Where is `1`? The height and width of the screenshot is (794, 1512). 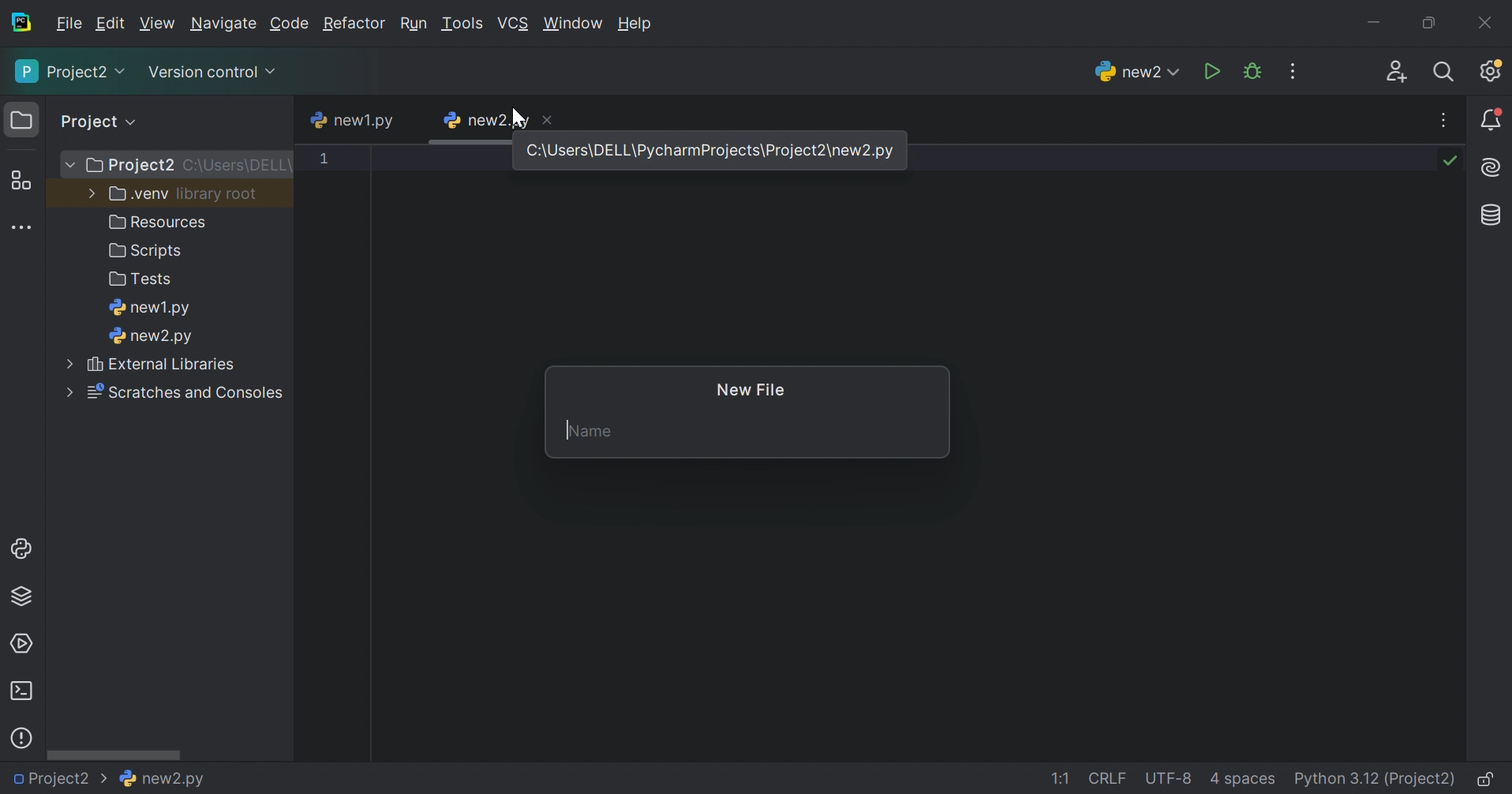
1 is located at coordinates (320, 159).